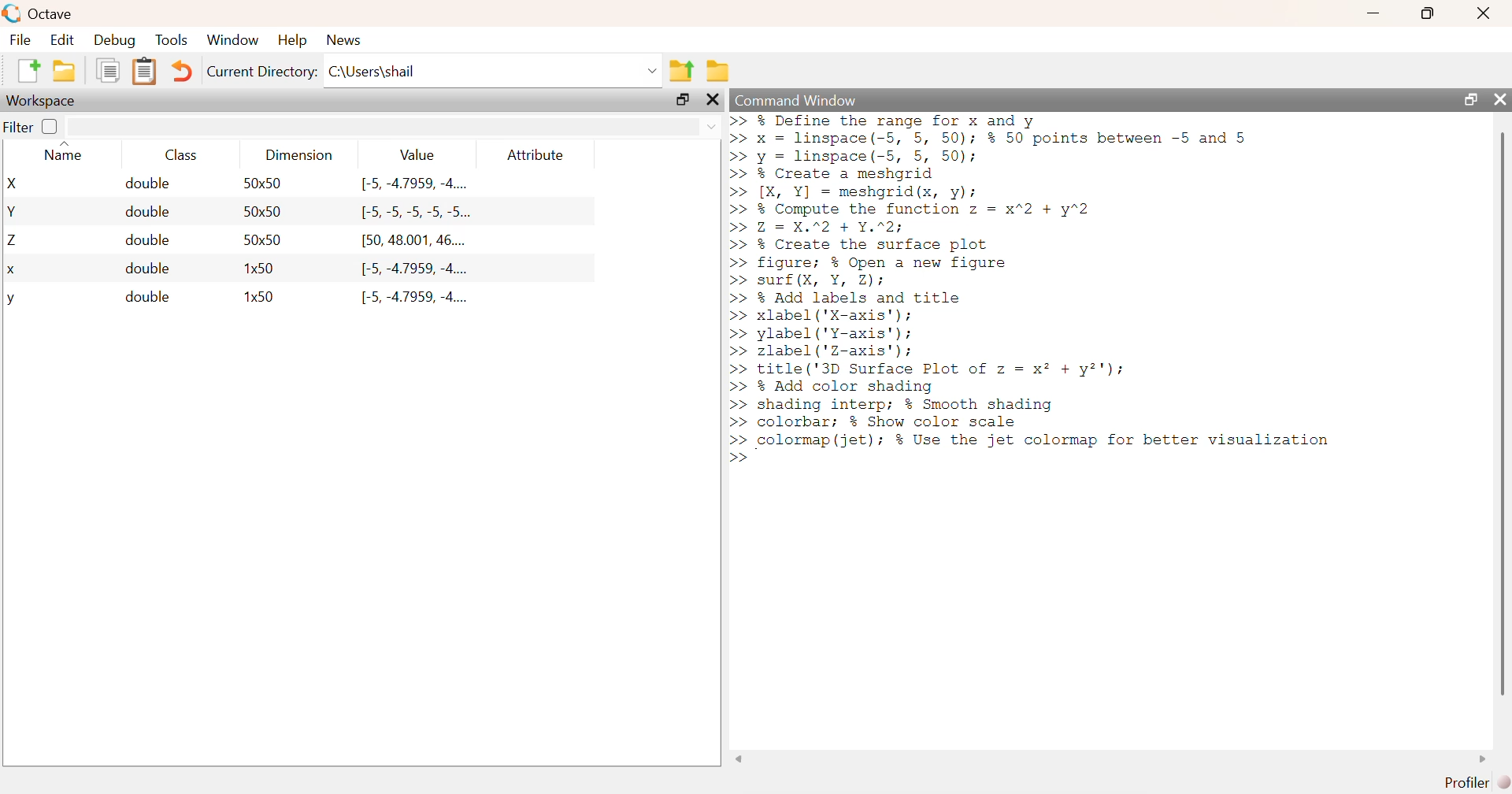  I want to click on double, so click(150, 239).